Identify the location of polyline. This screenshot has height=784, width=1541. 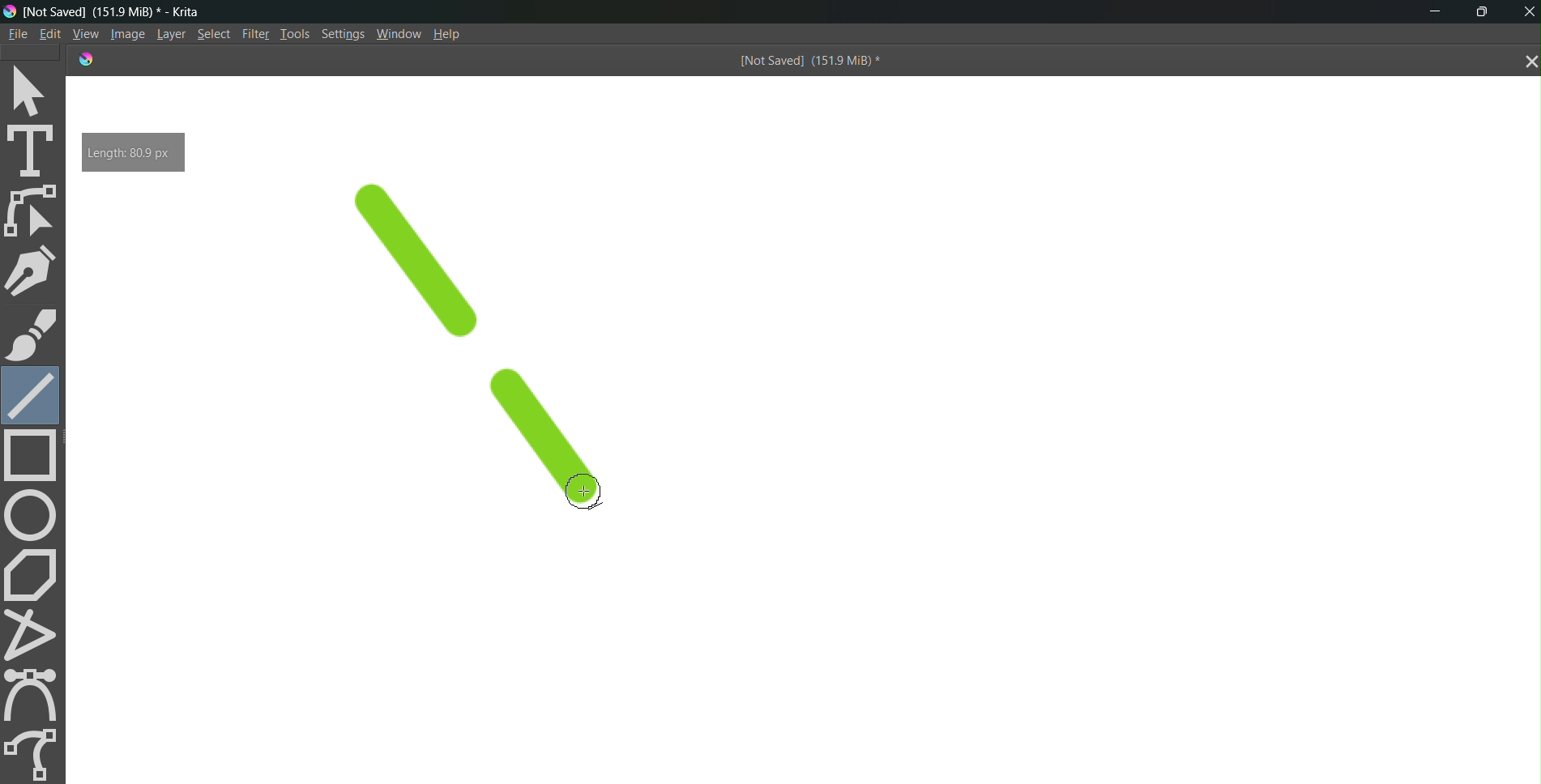
(36, 634).